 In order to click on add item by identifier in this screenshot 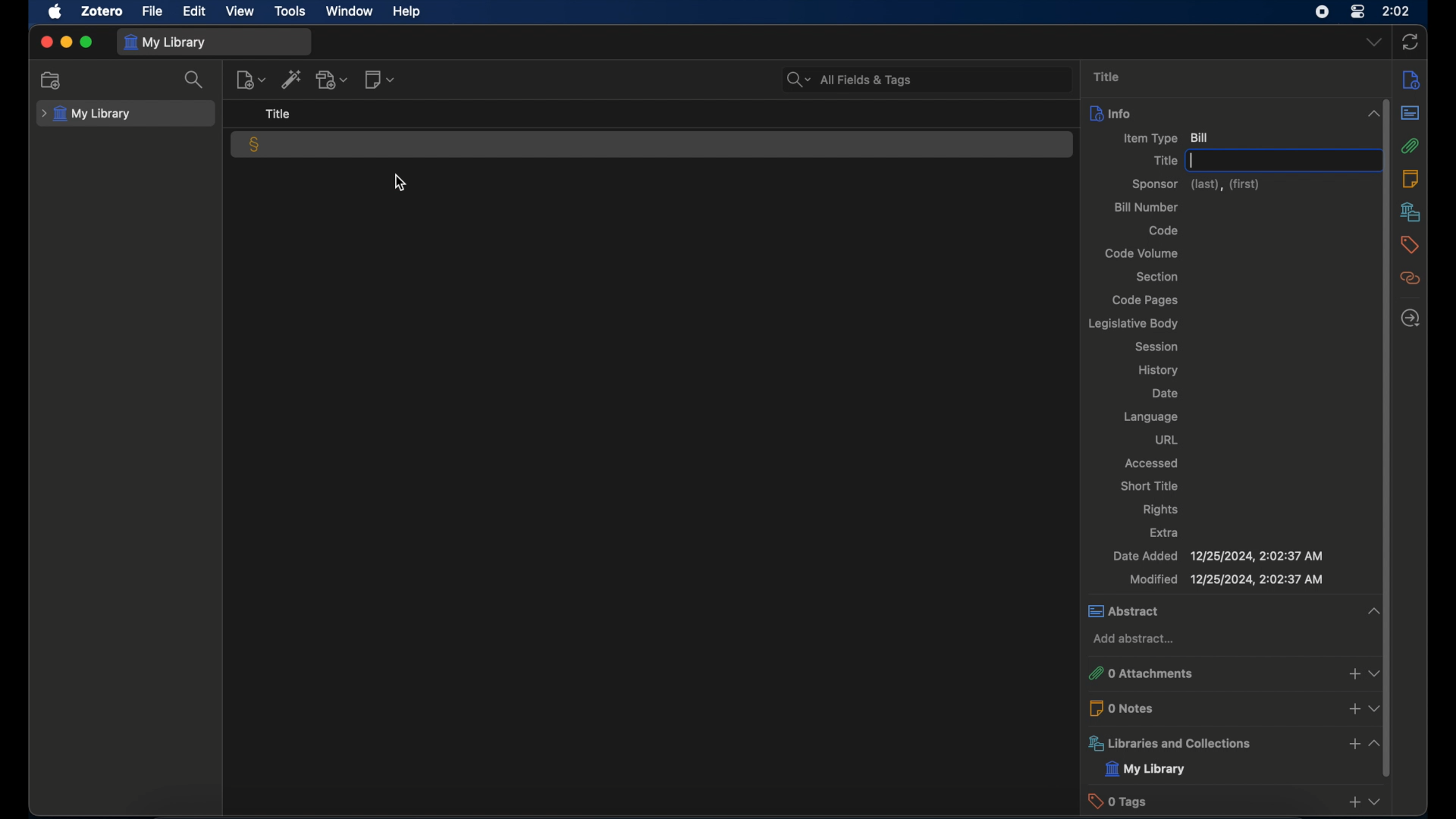, I will do `click(290, 80)`.